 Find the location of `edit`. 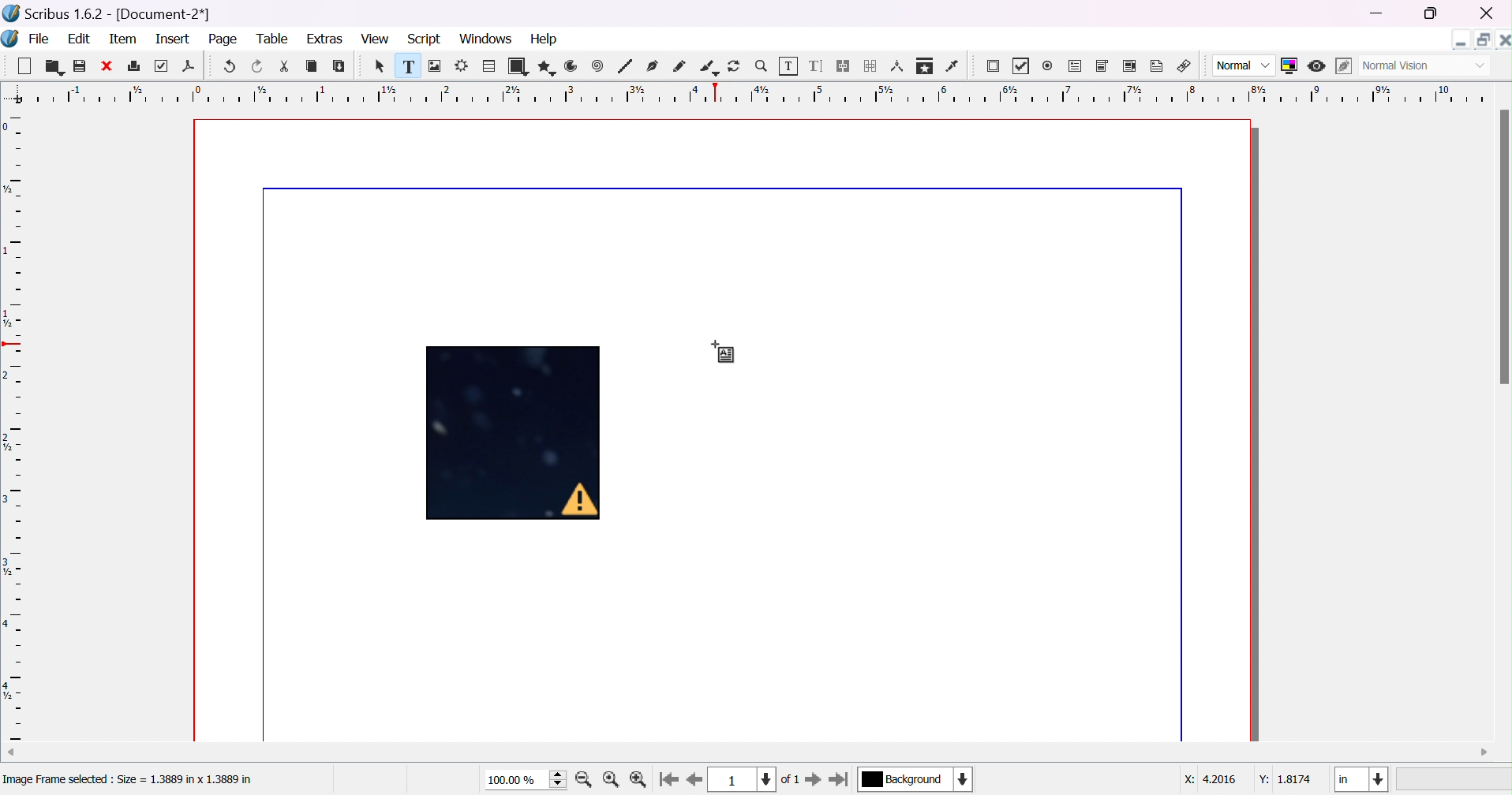

edit is located at coordinates (79, 38).